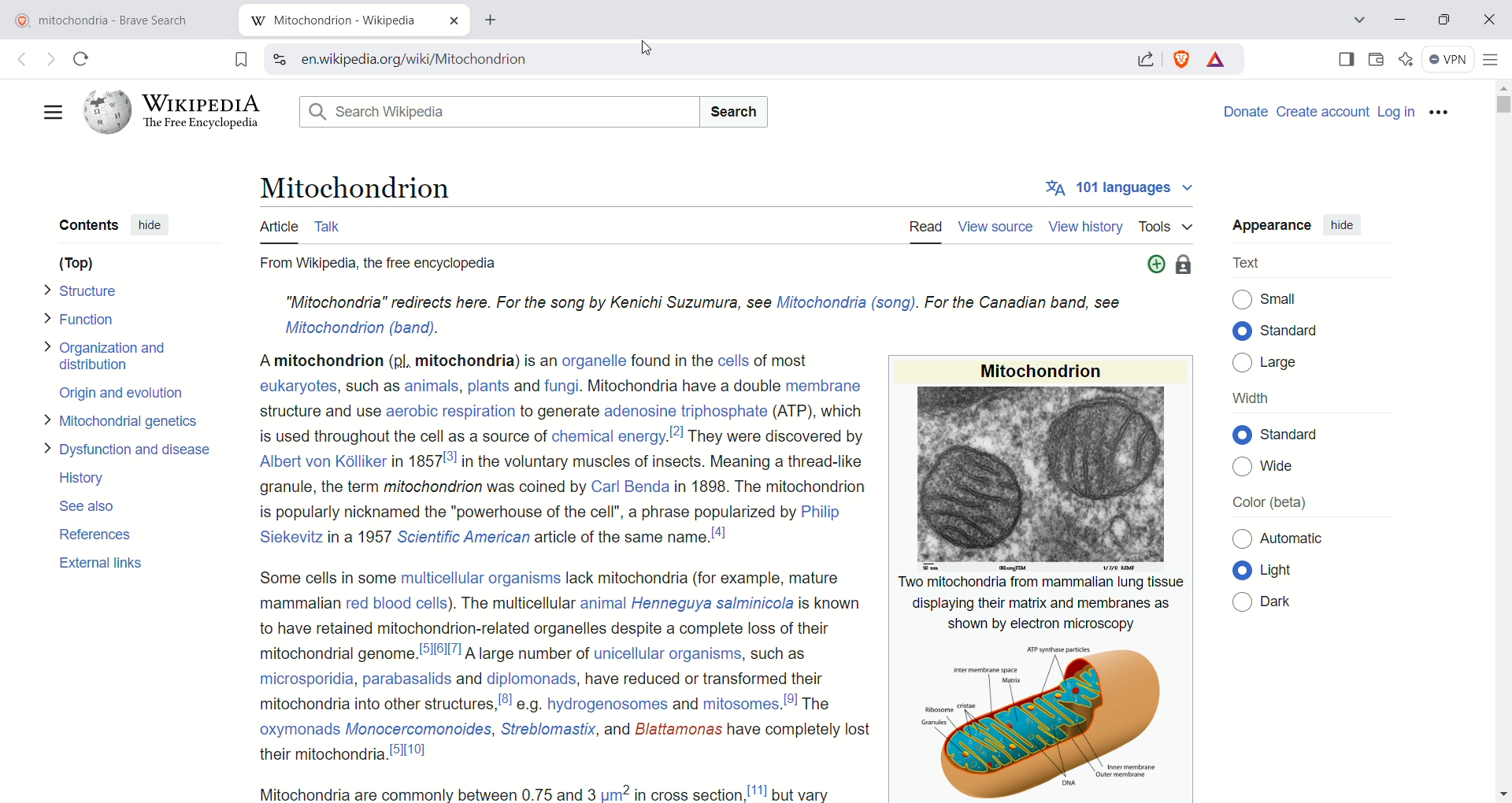 The width and height of the screenshot is (1512, 803). I want to click on Toggle off, so click(1241, 540).